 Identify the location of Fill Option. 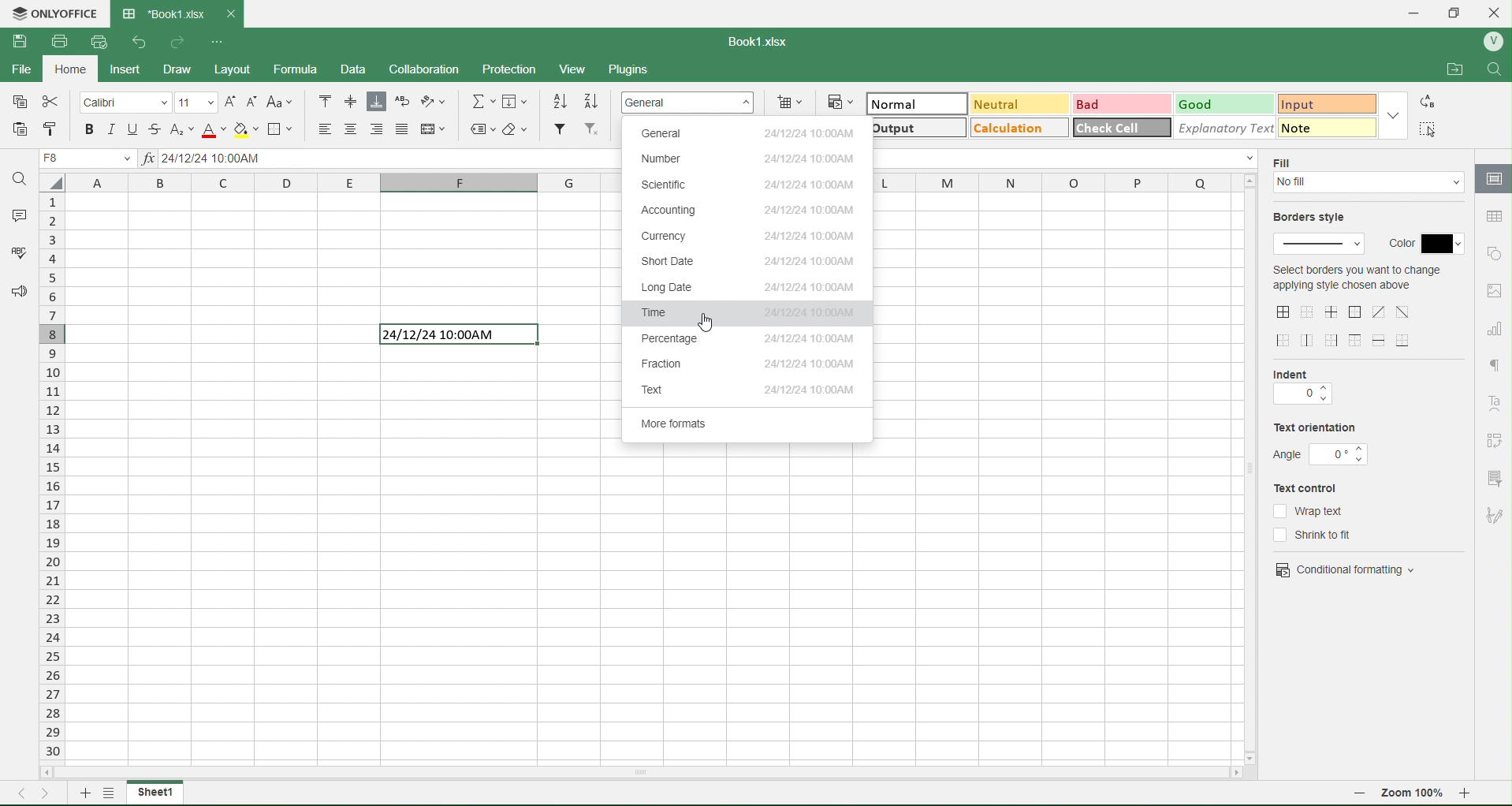
(91, 160).